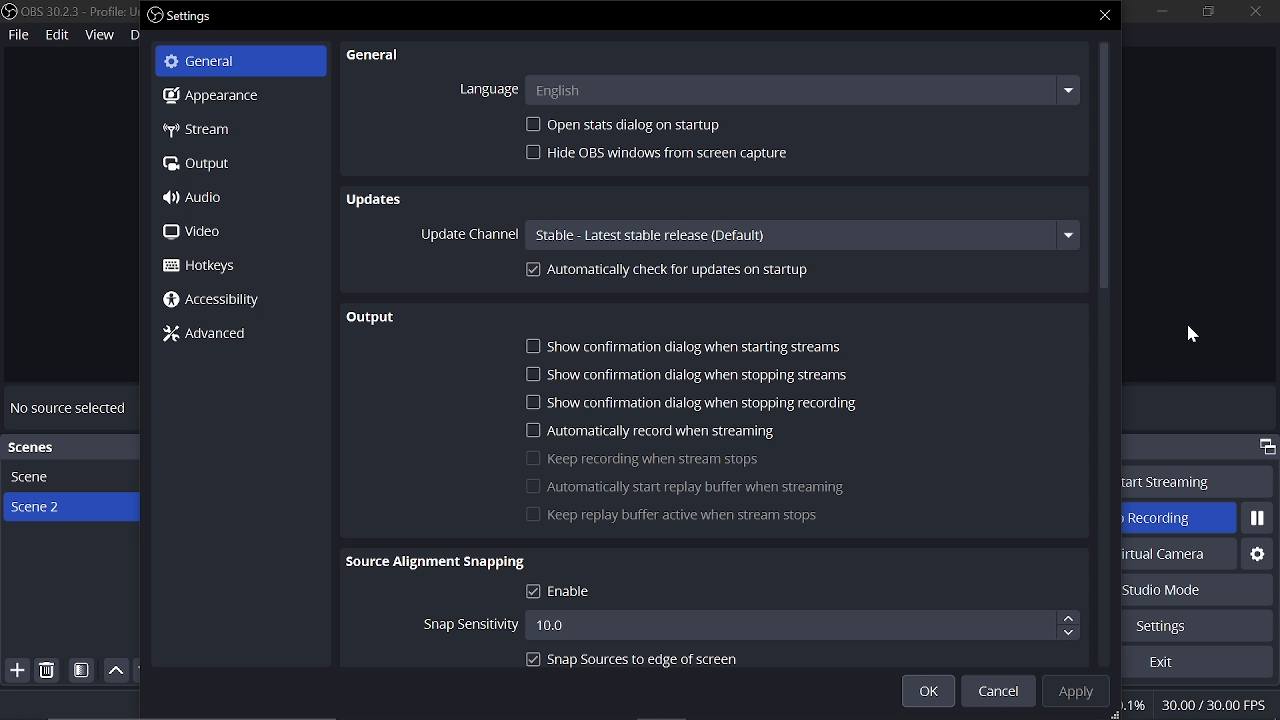 This screenshot has height=720, width=1280. What do you see at coordinates (223, 300) in the screenshot?
I see `accessibility` at bounding box center [223, 300].